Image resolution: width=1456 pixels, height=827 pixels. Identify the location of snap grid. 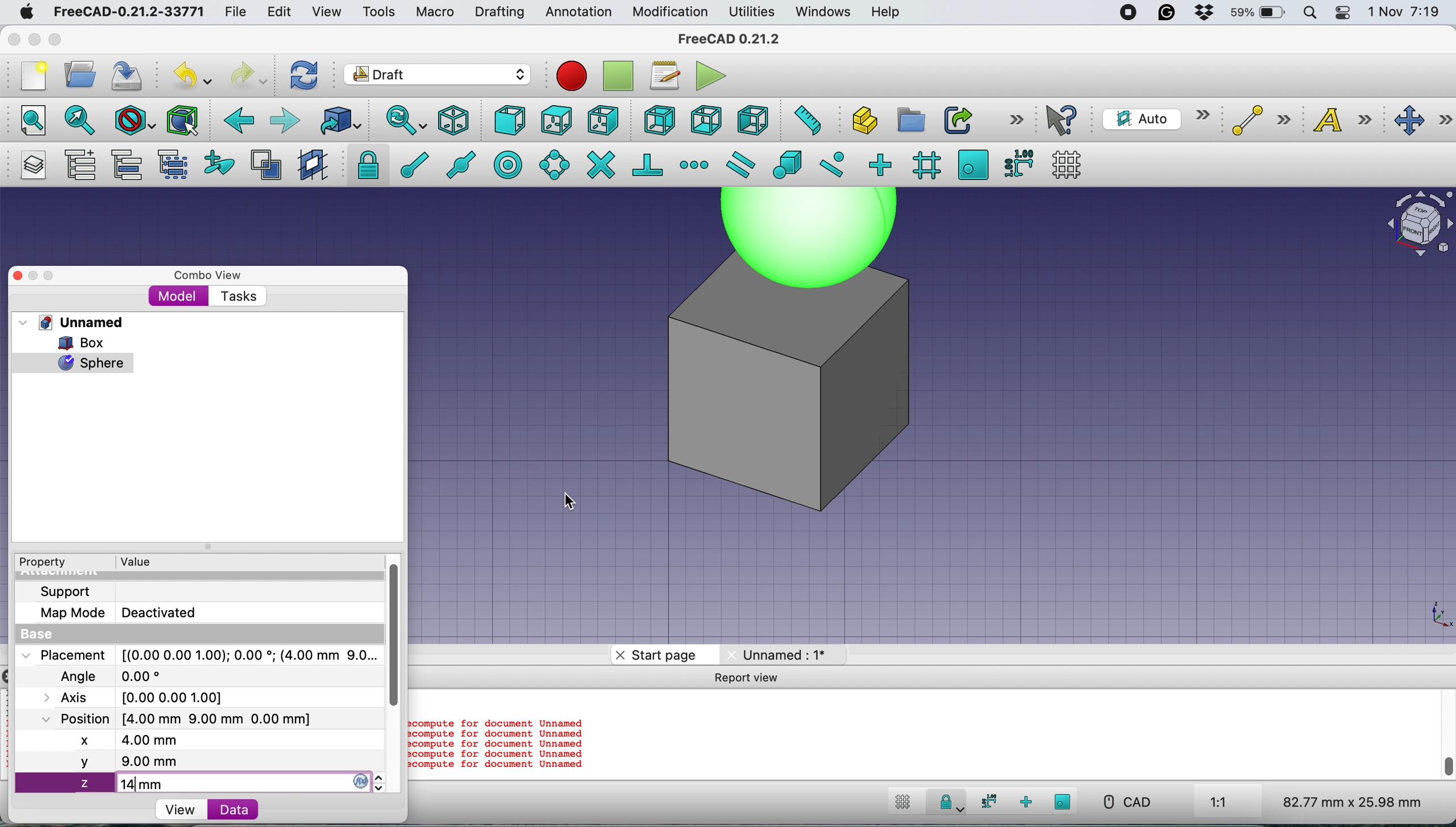
(925, 165).